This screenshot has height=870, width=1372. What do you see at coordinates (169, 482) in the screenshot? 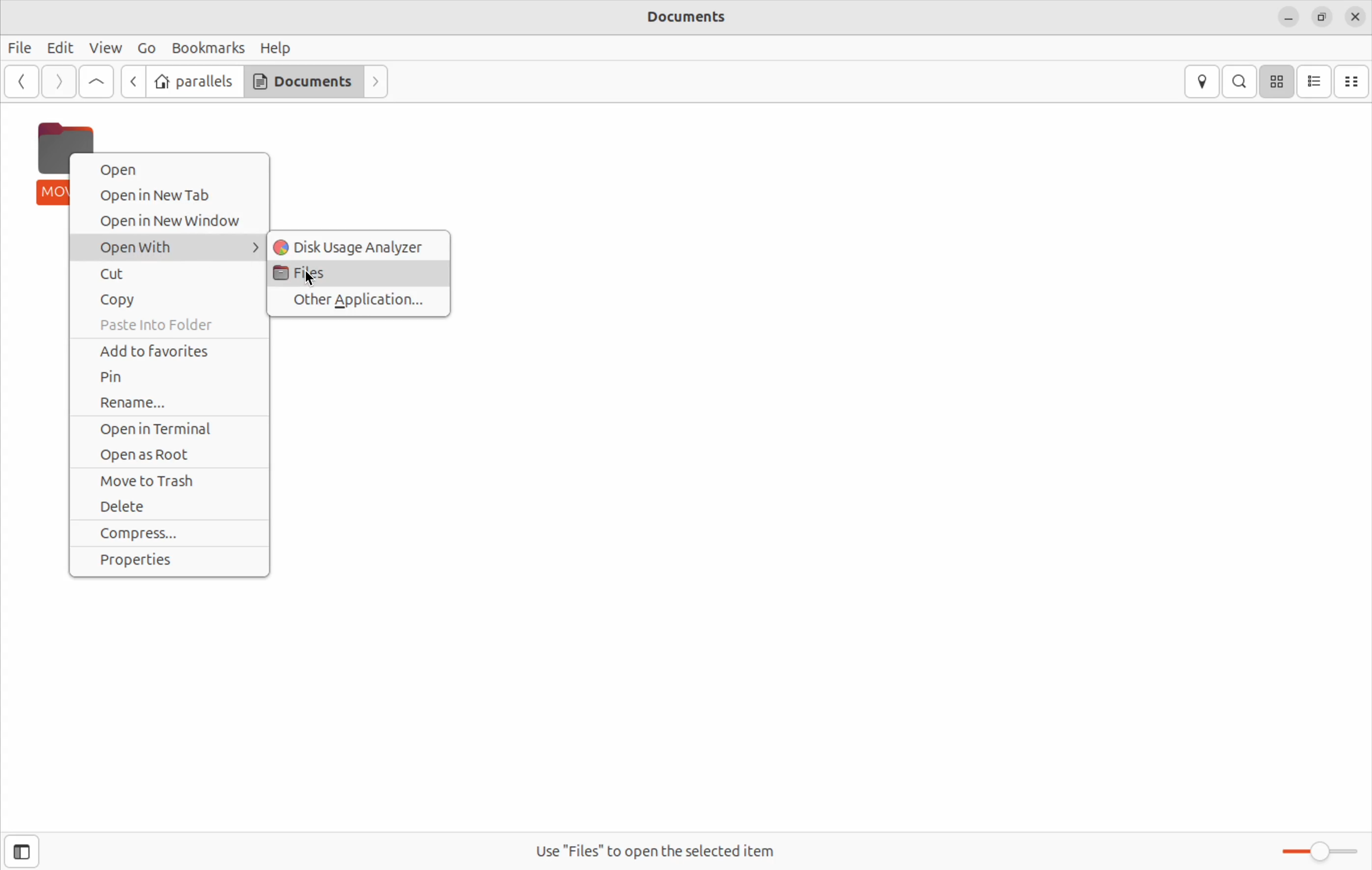
I see `Move to Trash` at bounding box center [169, 482].